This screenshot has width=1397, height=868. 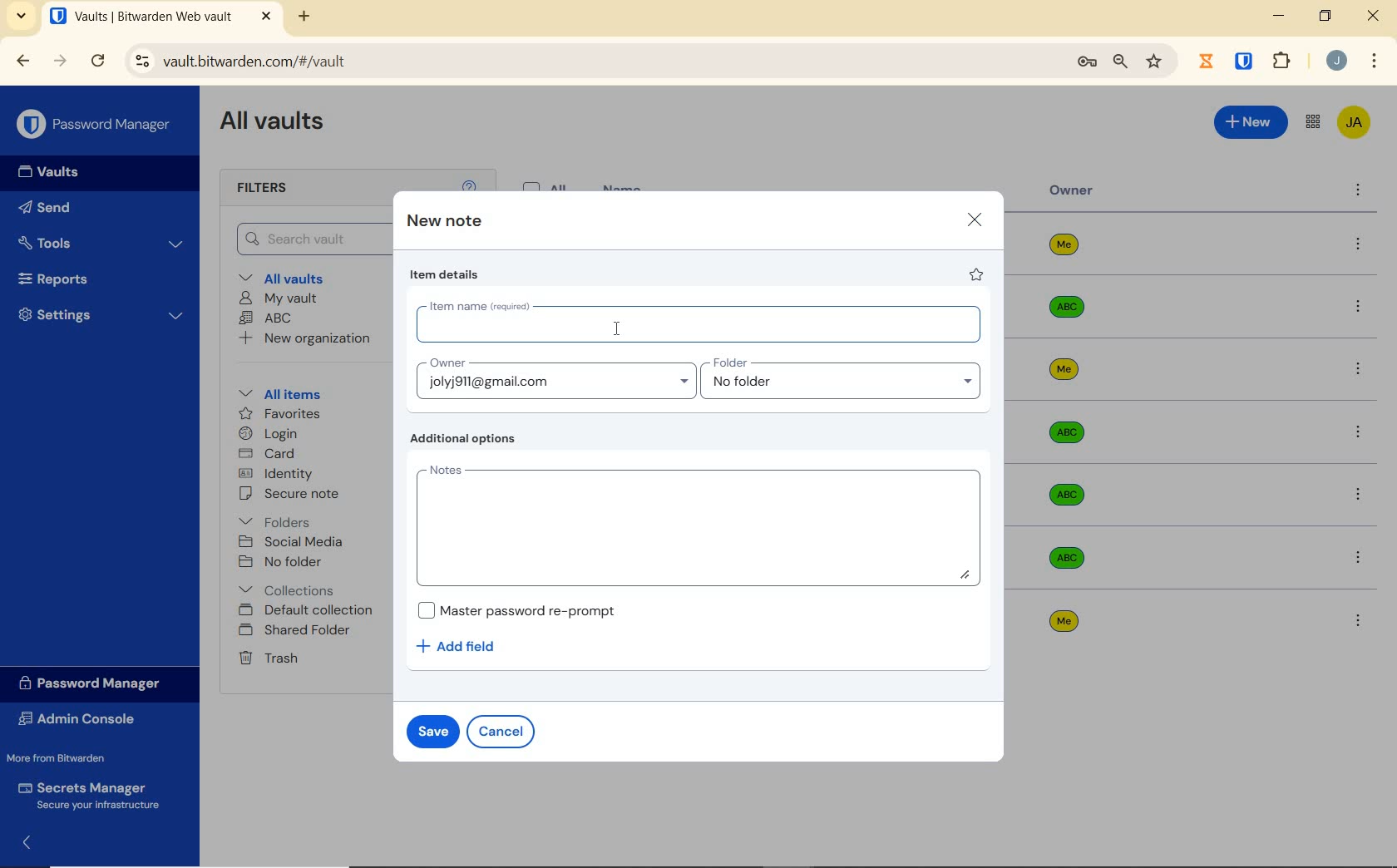 I want to click on All, so click(x=548, y=184).